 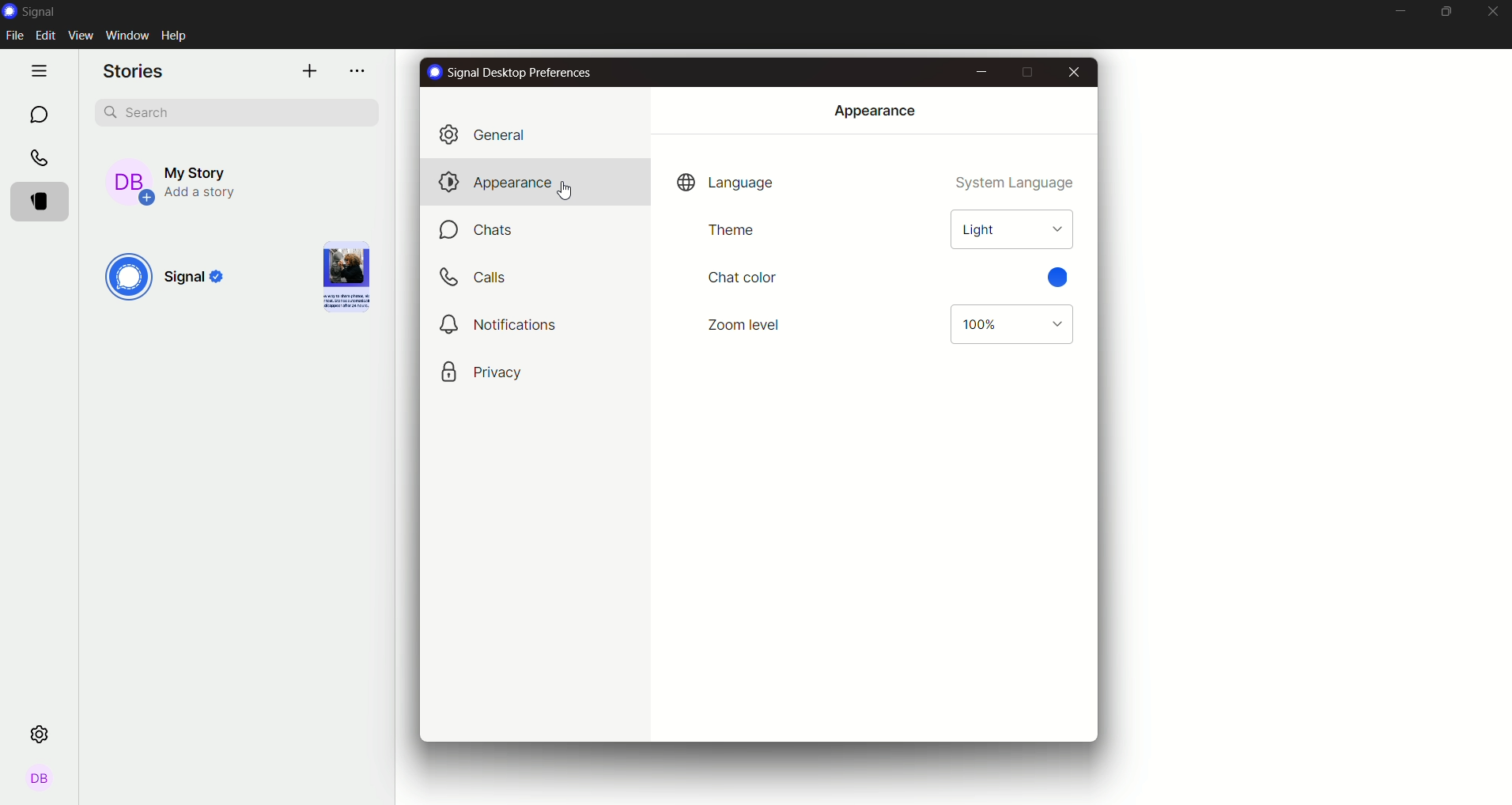 What do you see at coordinates (308, 70) in the screenshot?
I see `add` at bounding box center [308, 70].